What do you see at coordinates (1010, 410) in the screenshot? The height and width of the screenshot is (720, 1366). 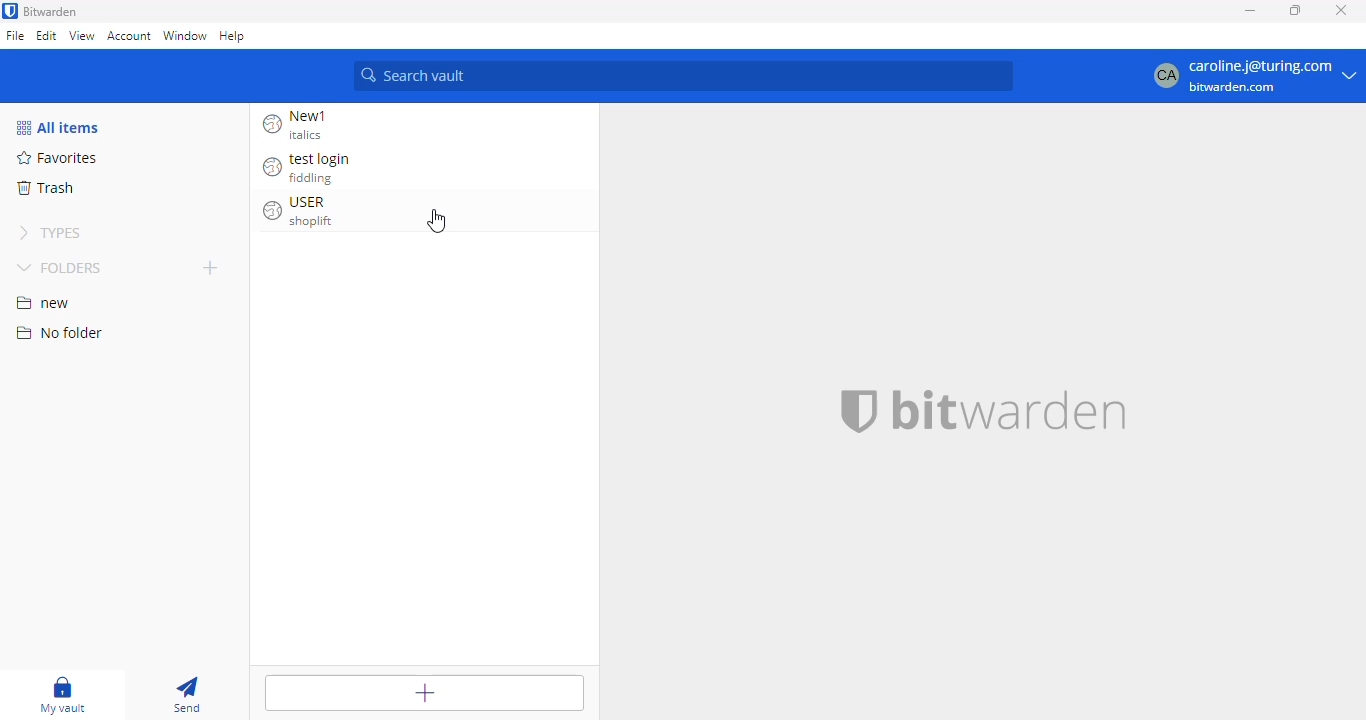 I see `bitwarden` at bounding box center [1010, 410].